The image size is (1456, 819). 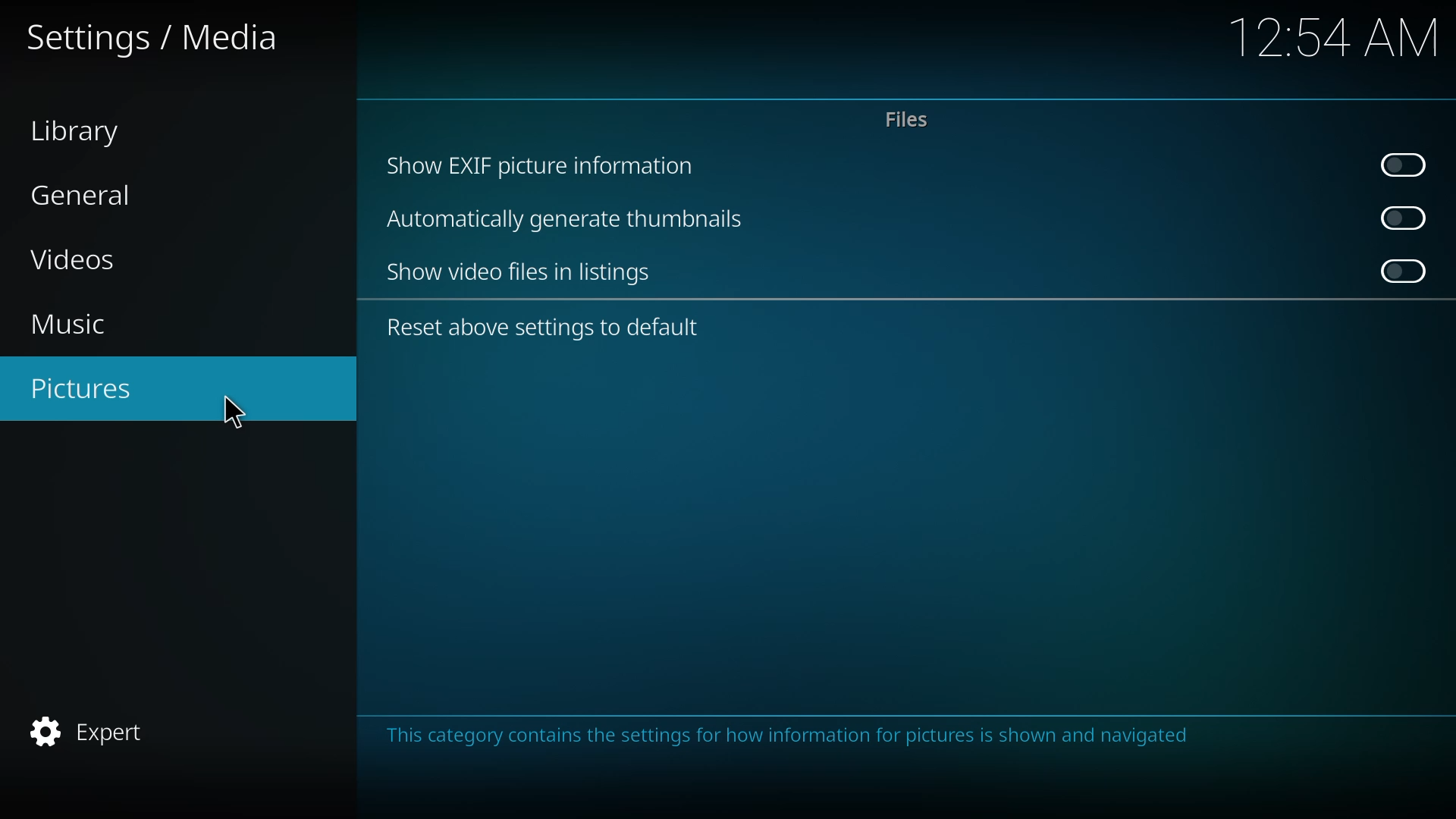 What do you see at coordinates (542, 165) in the screenshot?
I see `show exif picture info` at bounding box center [542, 165].